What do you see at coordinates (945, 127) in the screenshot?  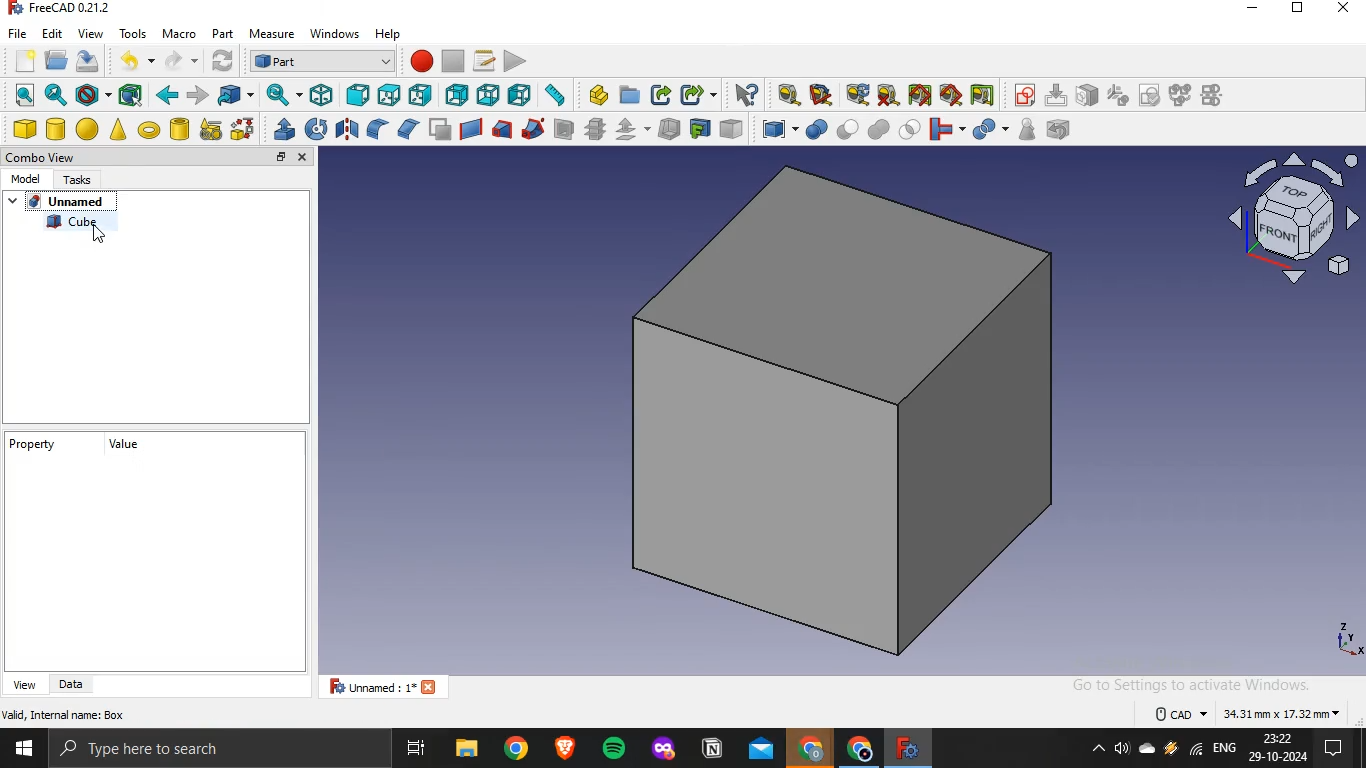 I see `join objects` at bounding box center [945, 127].